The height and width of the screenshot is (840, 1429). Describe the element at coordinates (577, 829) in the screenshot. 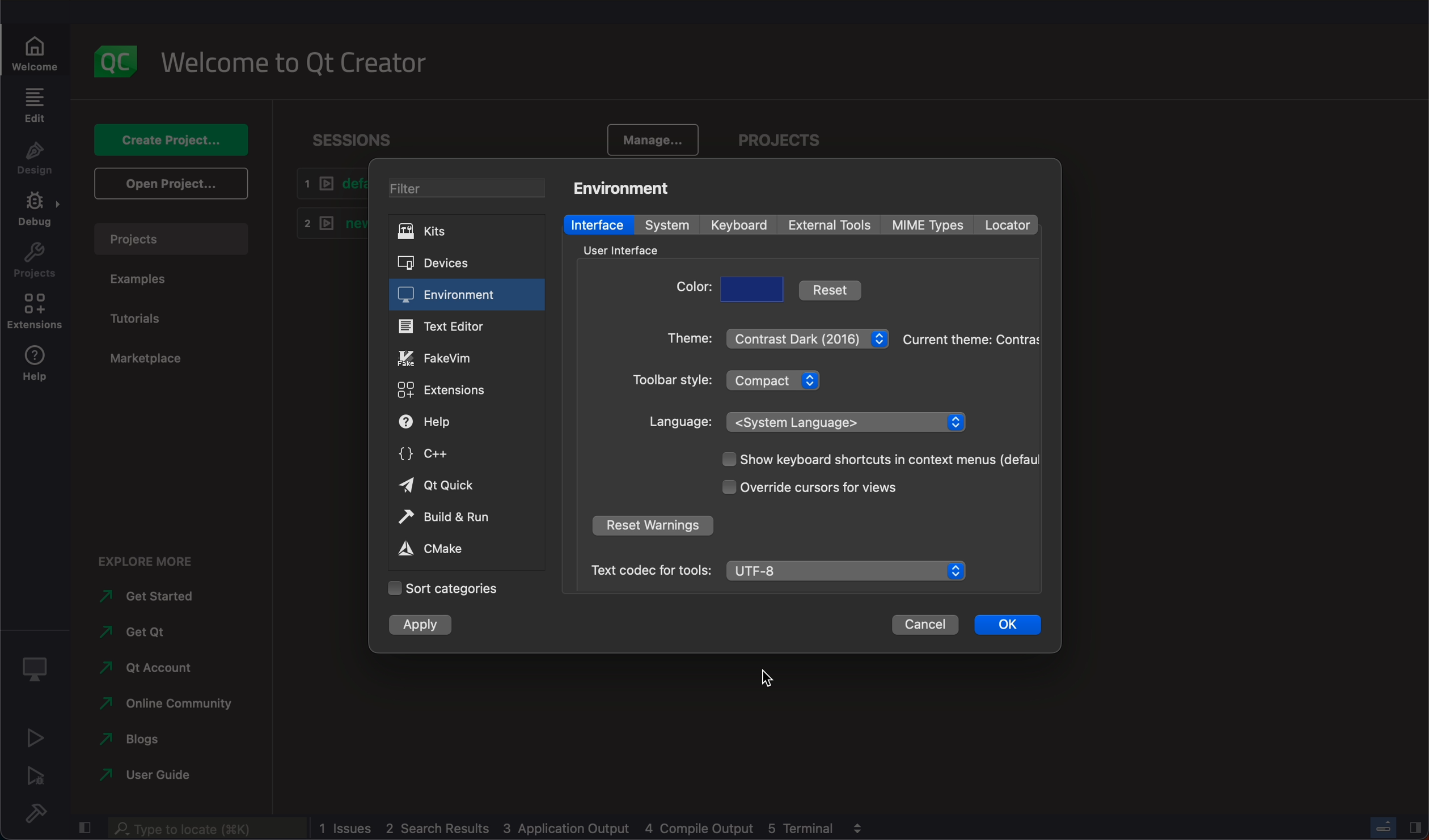

I see `logs` at that location.